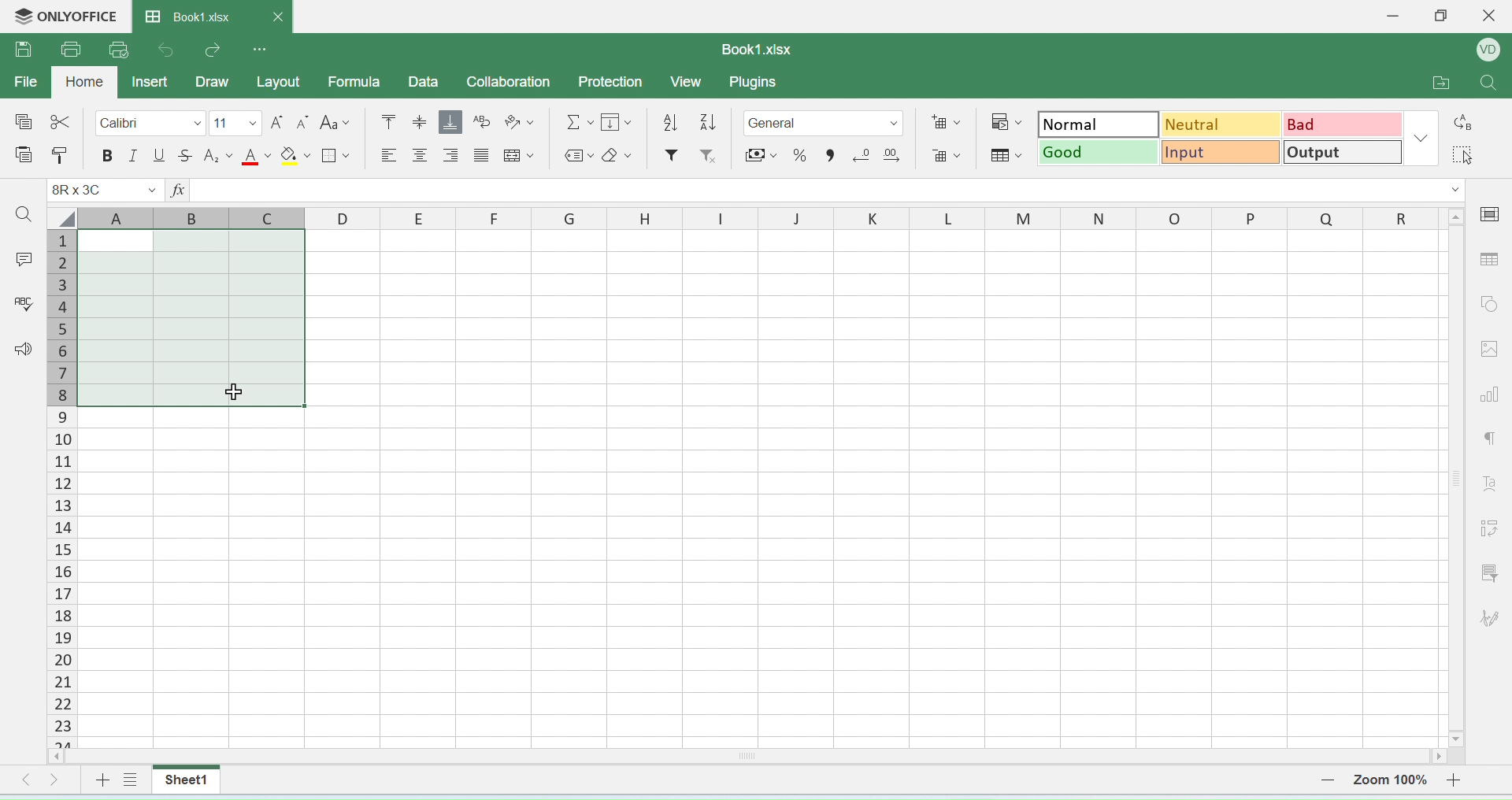 Image resolution: width=1512 pixels, height=800 pixels. What do you see at coordinates (59, 120) in the screenshot?
I see `cut` at bounding box center [59, 120].